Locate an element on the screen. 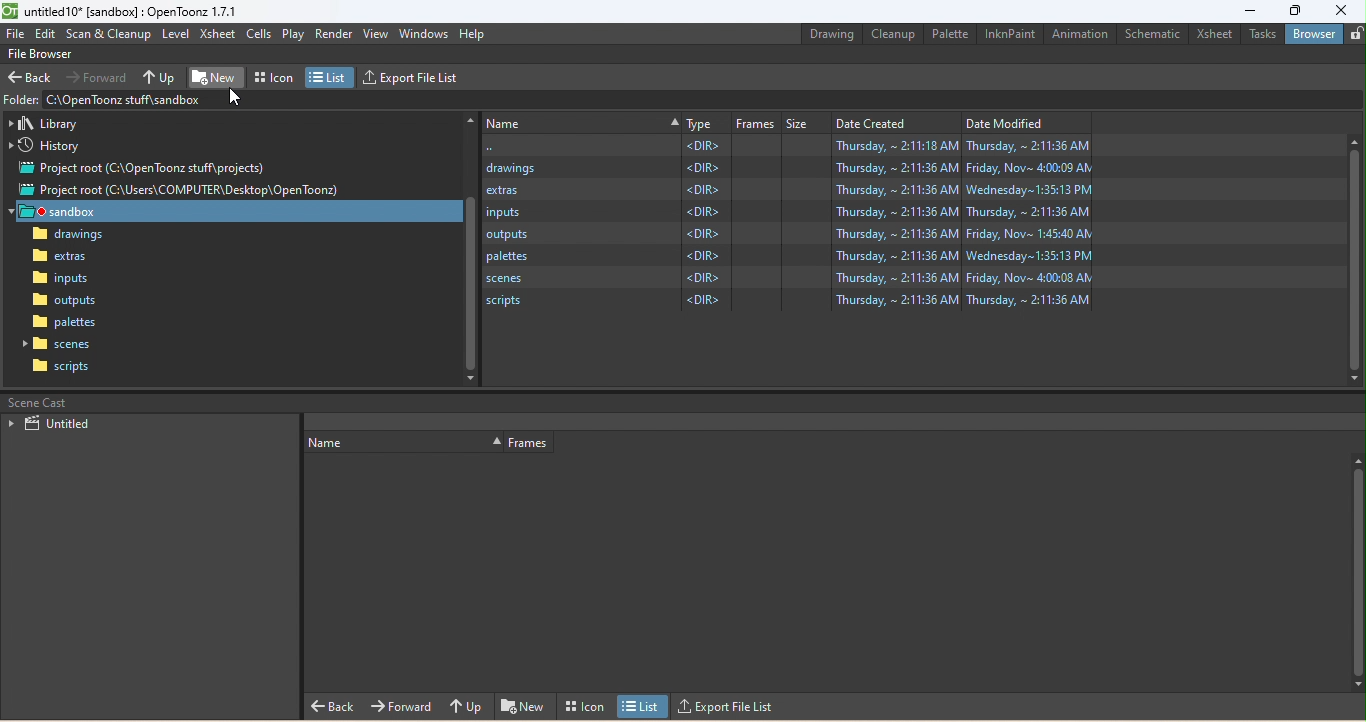  Animation is located at coordinates (1083, 34).